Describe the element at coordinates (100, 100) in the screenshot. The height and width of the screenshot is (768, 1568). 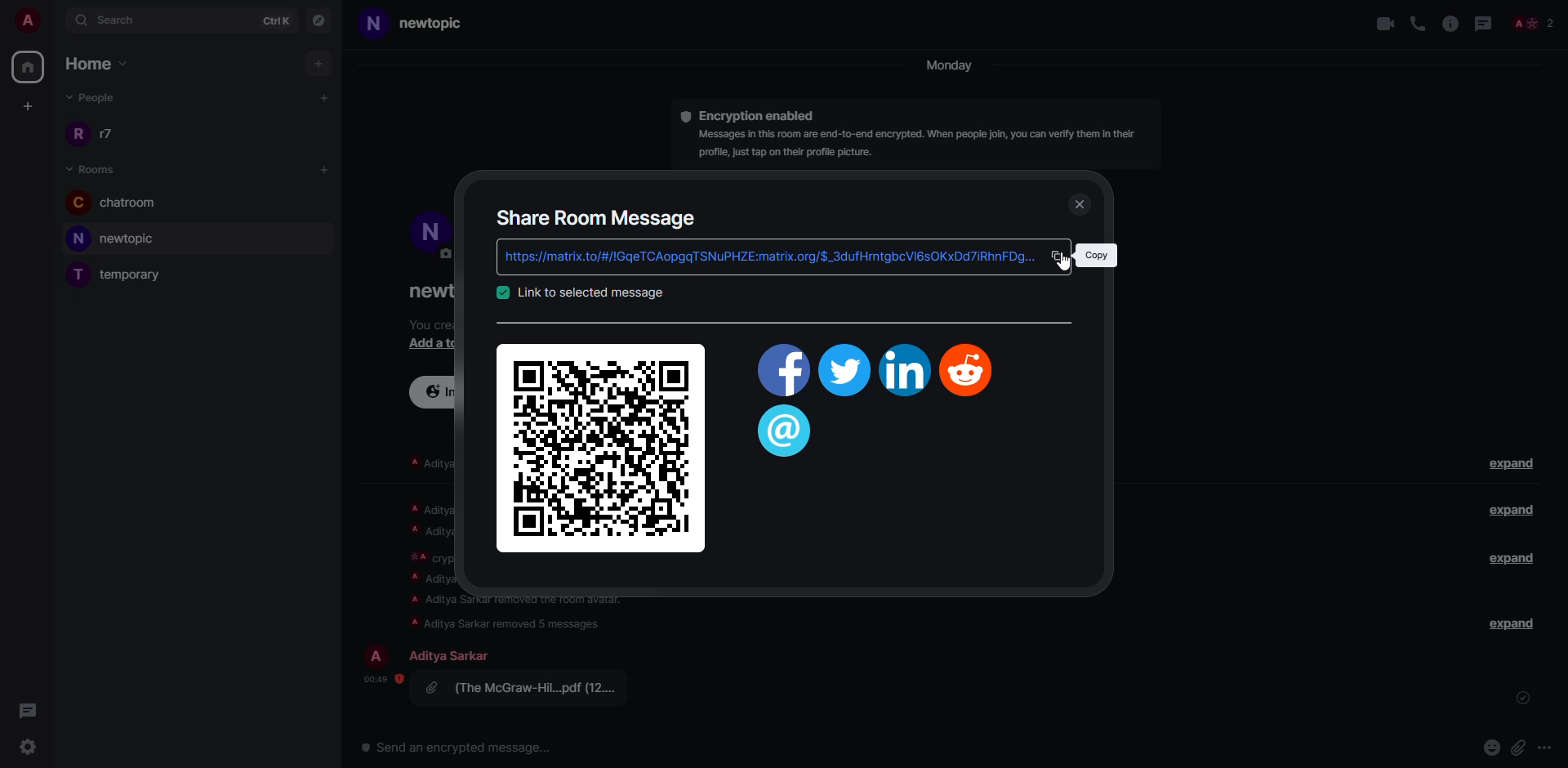
I see `people` at that location.